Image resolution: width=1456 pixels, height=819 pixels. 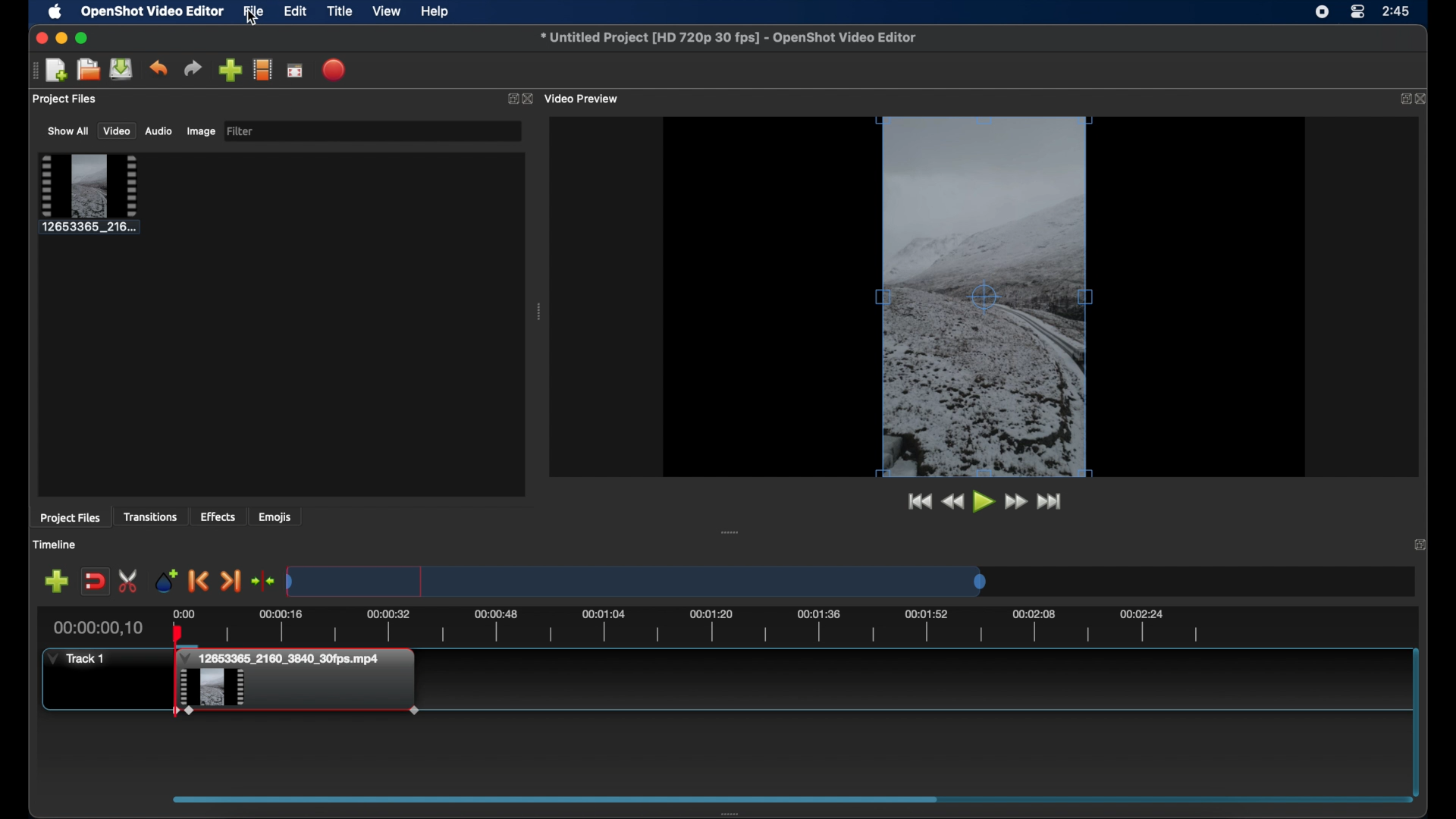 I want to click on effects, so click(x=218, y=516).